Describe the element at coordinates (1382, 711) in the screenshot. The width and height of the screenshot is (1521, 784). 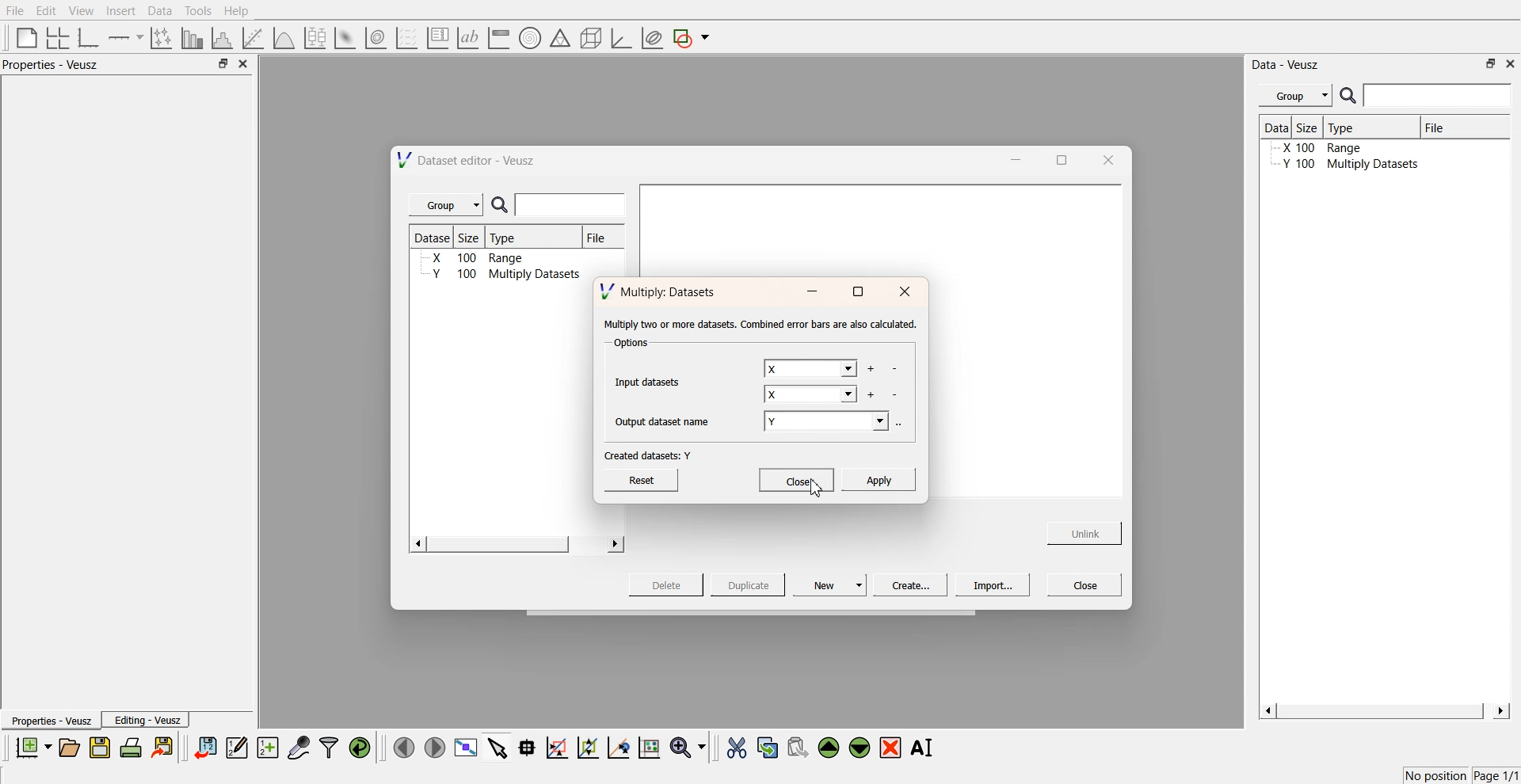
I see `scroll bar` at that location.